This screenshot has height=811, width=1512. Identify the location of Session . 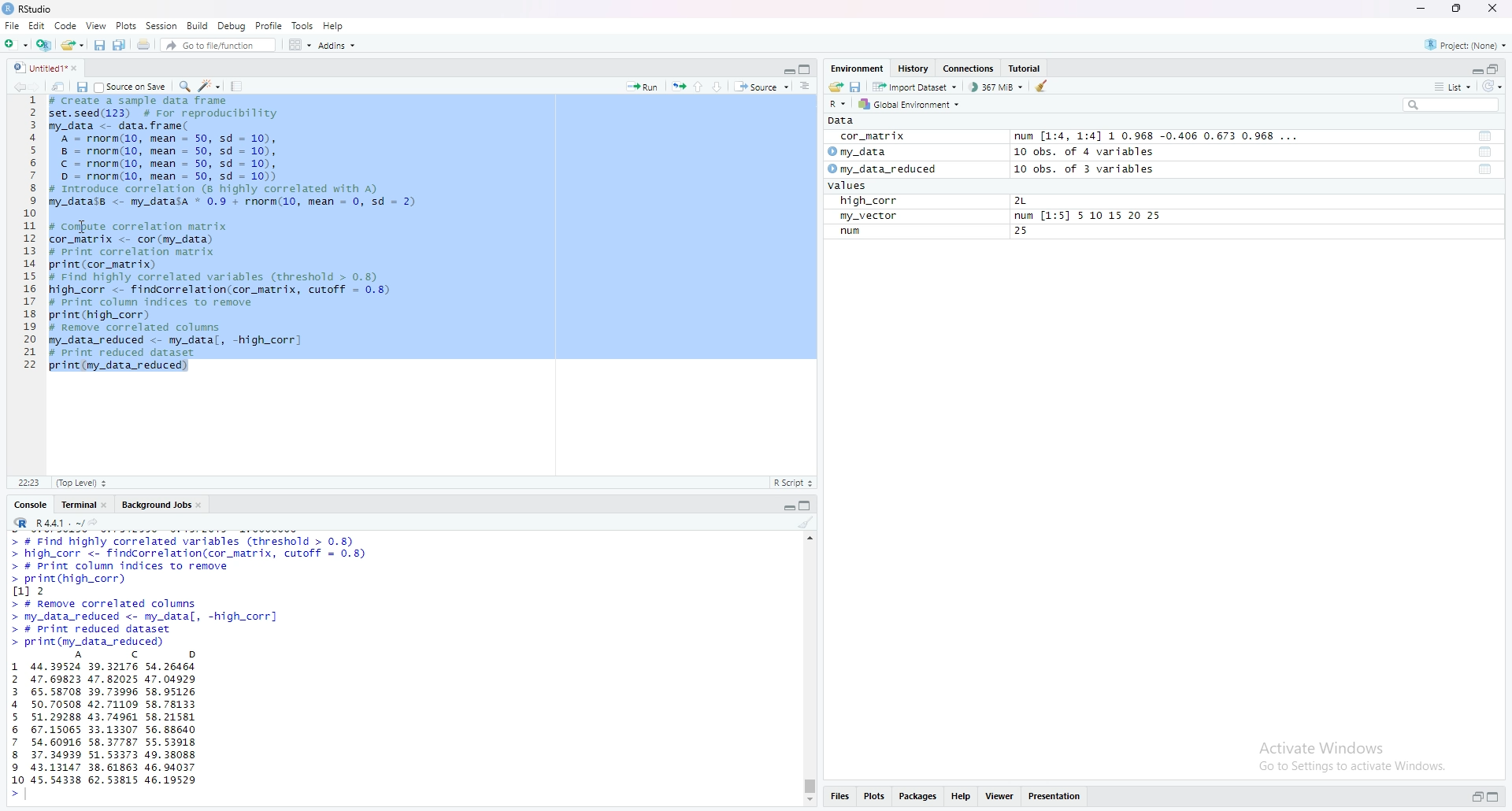
(162, 26).